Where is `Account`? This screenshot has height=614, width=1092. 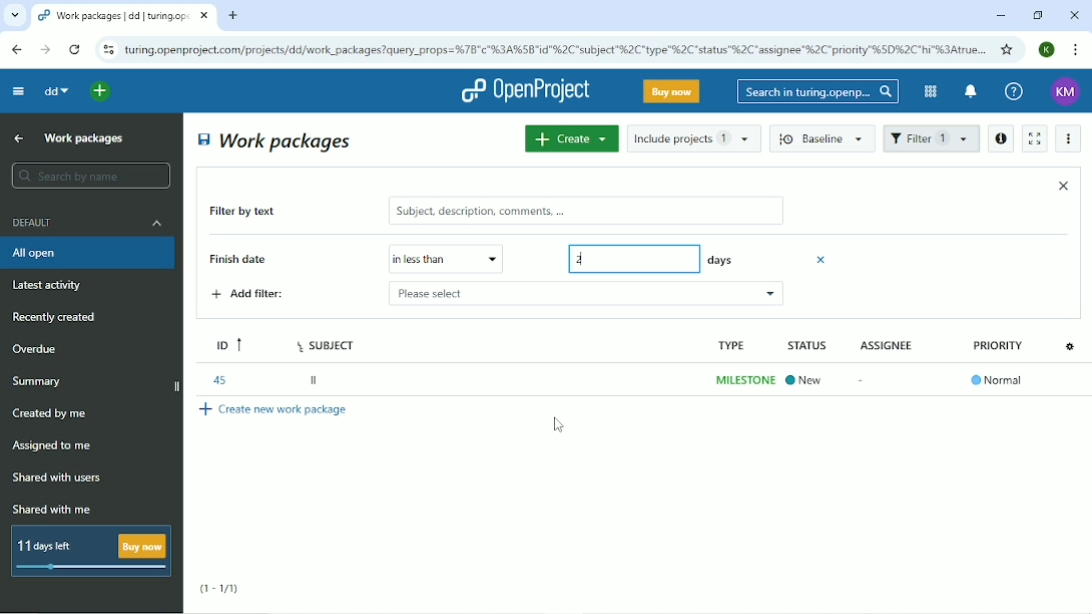
Account is located at coordinates (1048, 49).